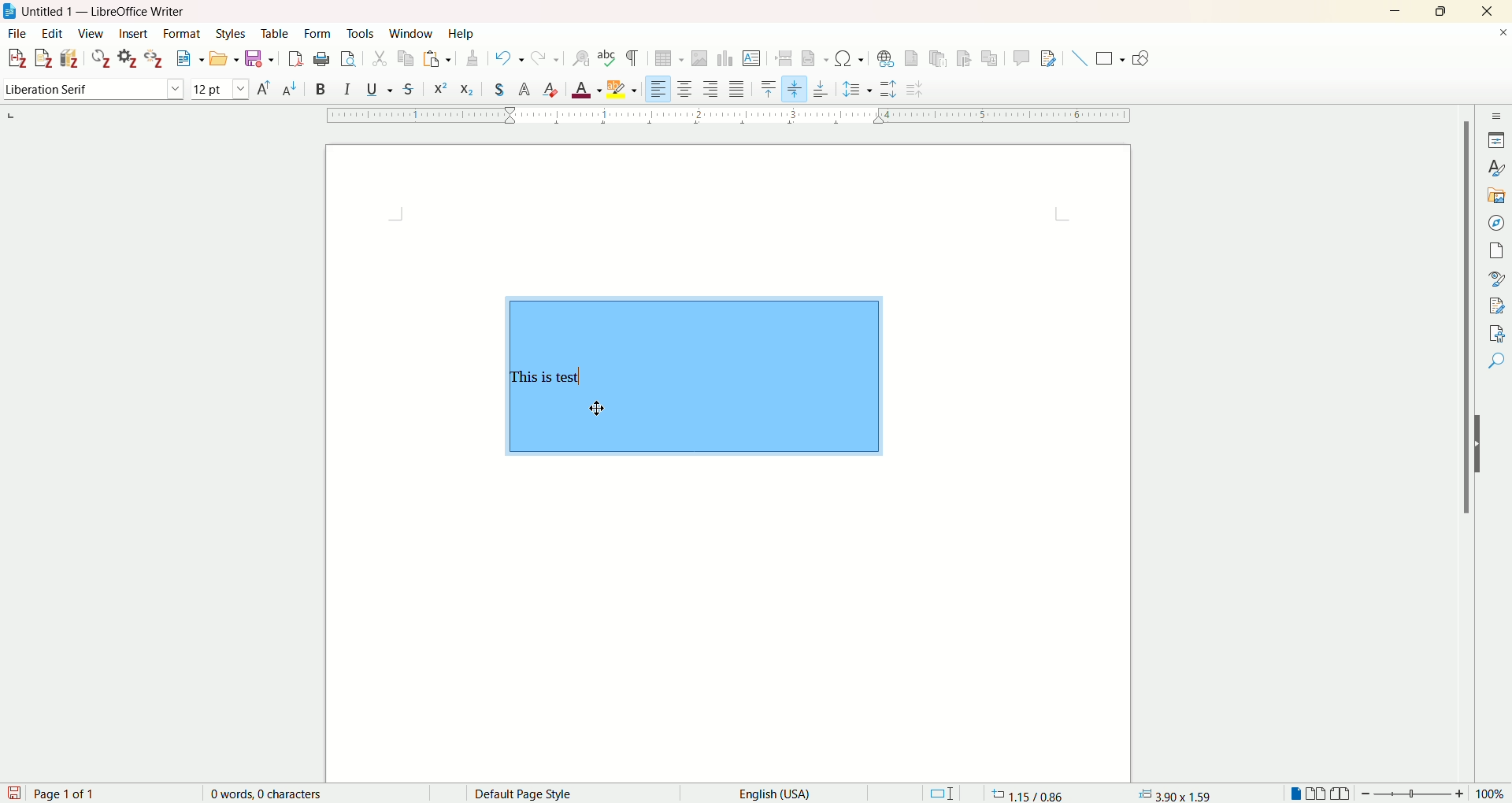  What do you see at coordinates (135, 34) in the screenshot?
I see `insert` at bounding box center [135, 34].